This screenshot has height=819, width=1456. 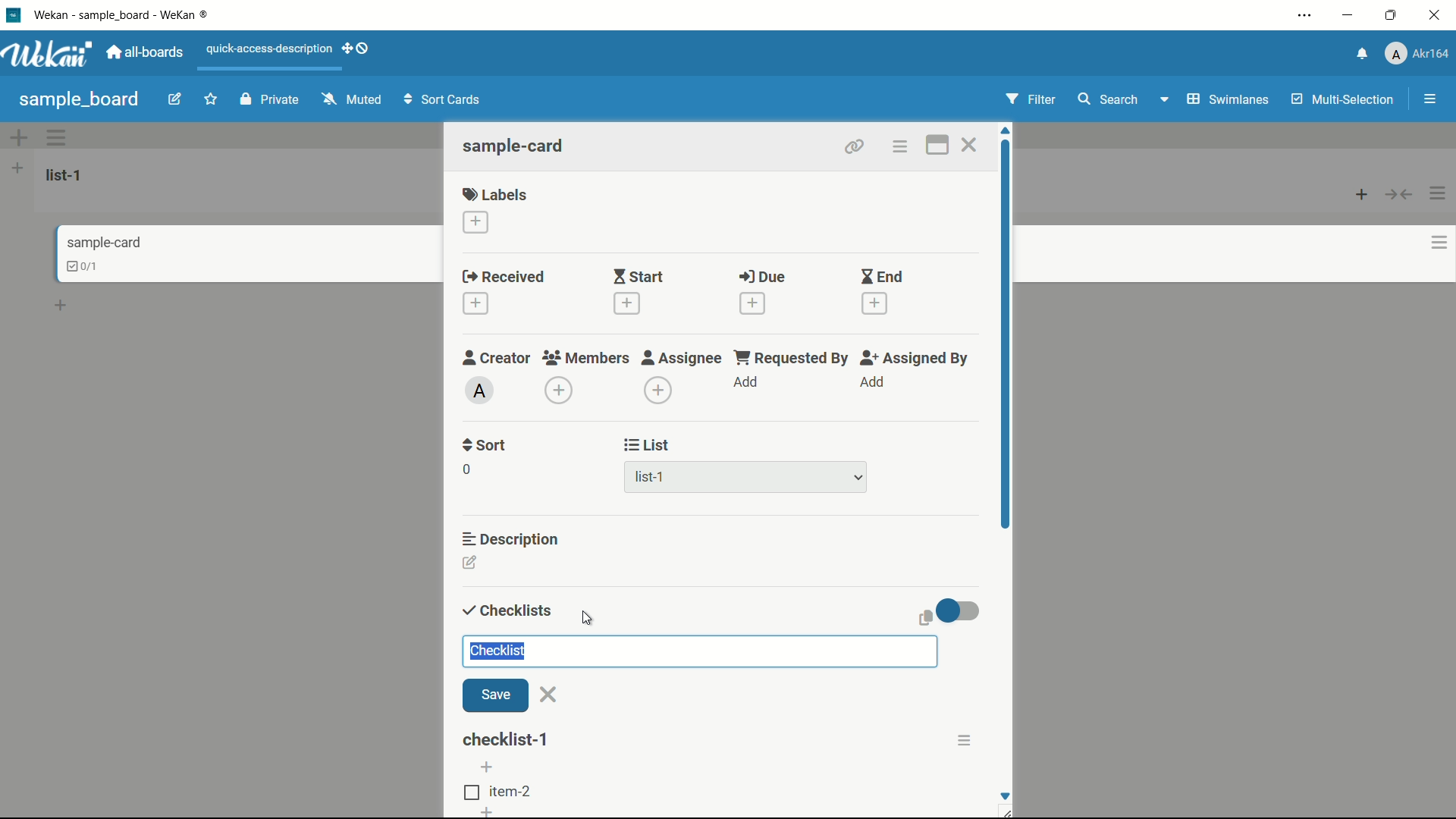 I want to click on edit, so click(x=175, y=101).